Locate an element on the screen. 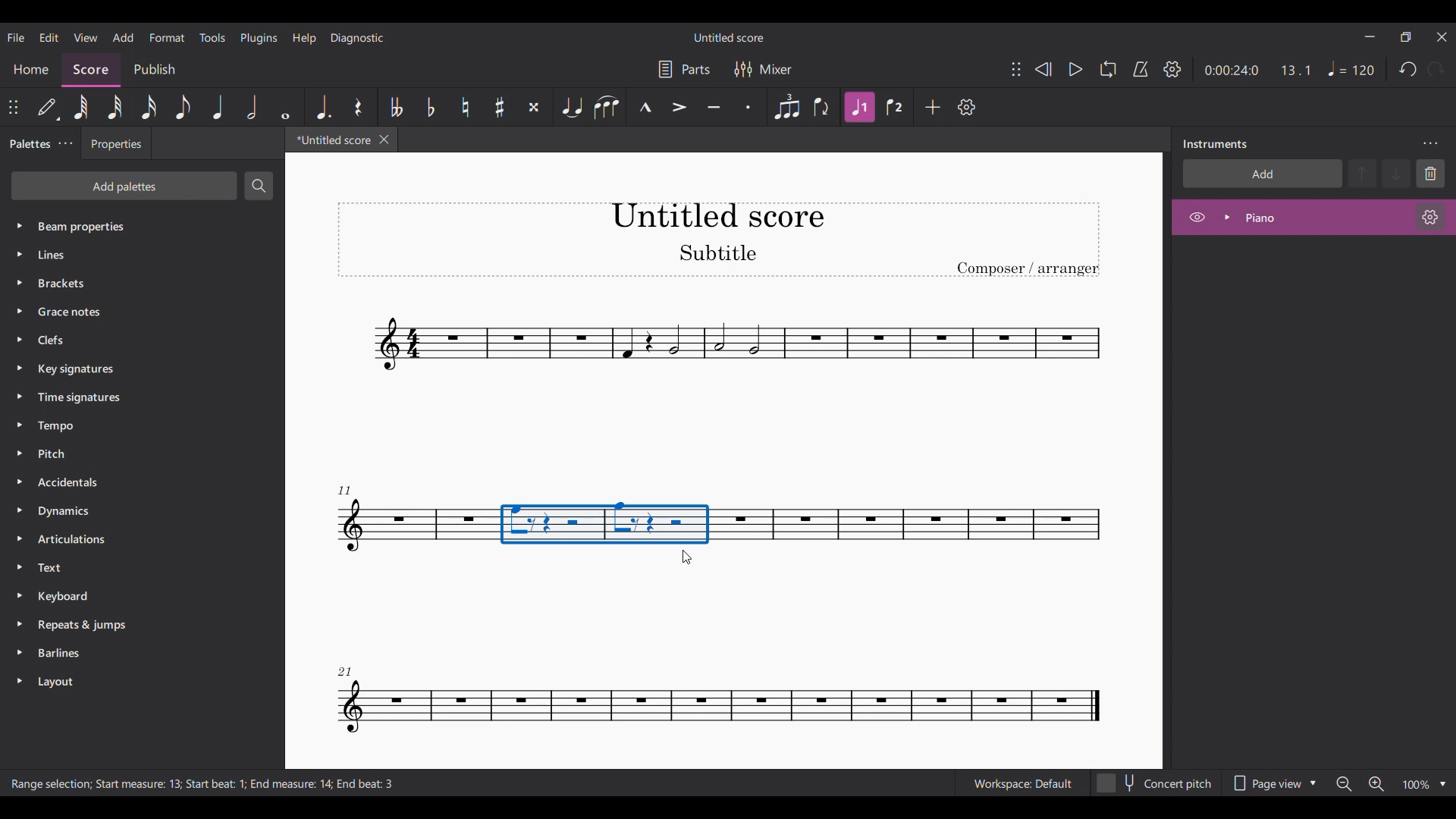 This screenshot has width=1456, height=819. Text is located at coordinates (129, 567).